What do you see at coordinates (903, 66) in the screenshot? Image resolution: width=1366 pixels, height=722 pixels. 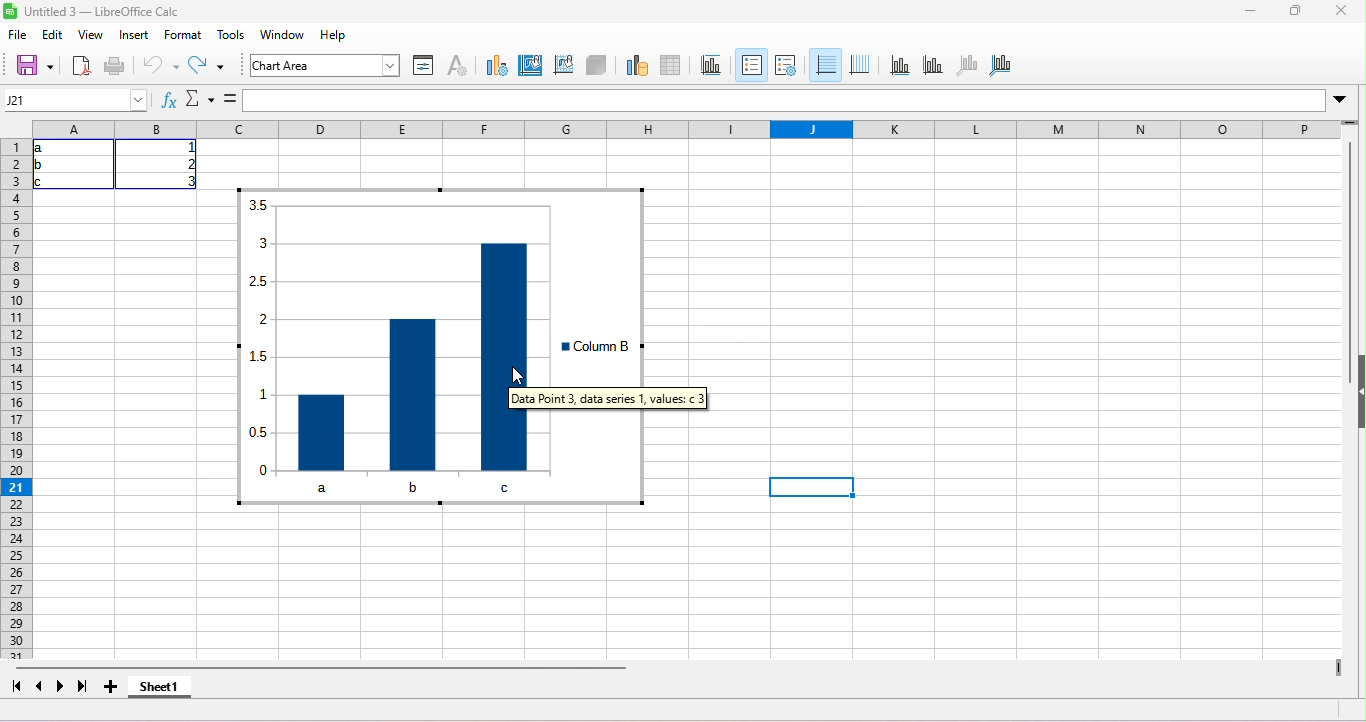 I see `x axis` at bounding box center [903, 66].